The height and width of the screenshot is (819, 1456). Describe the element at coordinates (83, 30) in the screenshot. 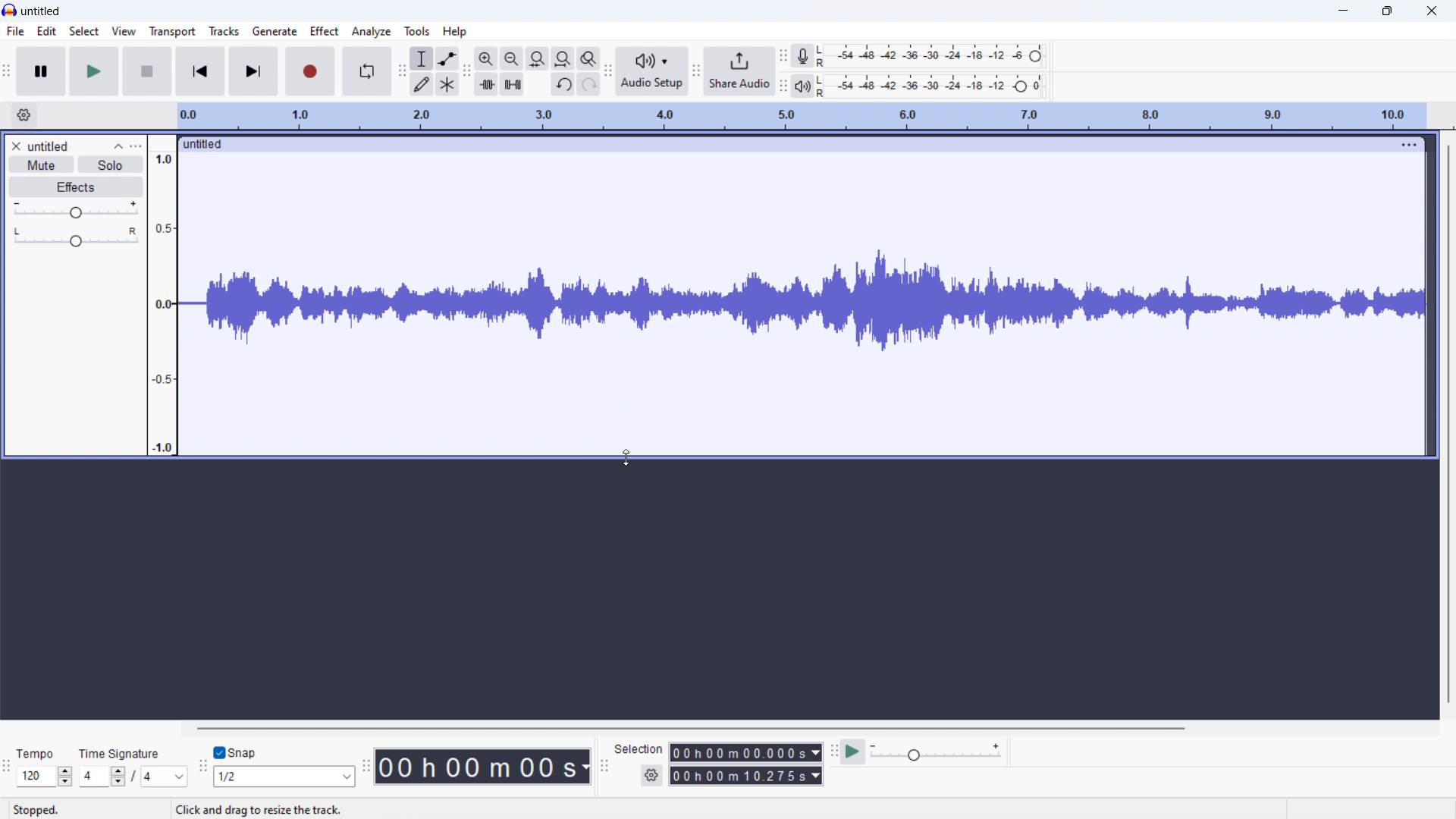

I see `select` at that location.